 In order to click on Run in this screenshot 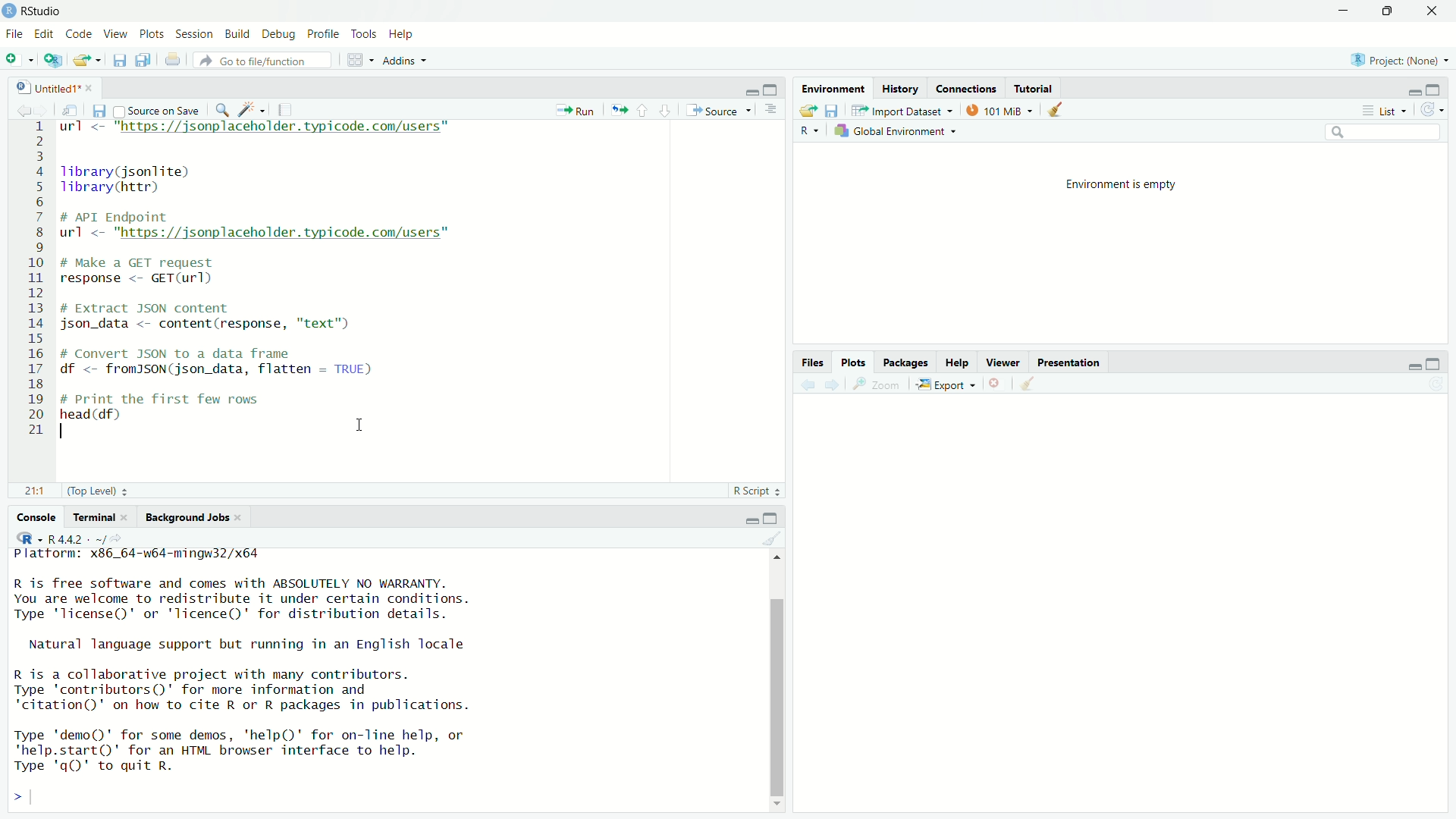, I will do `click(576, 108)`.